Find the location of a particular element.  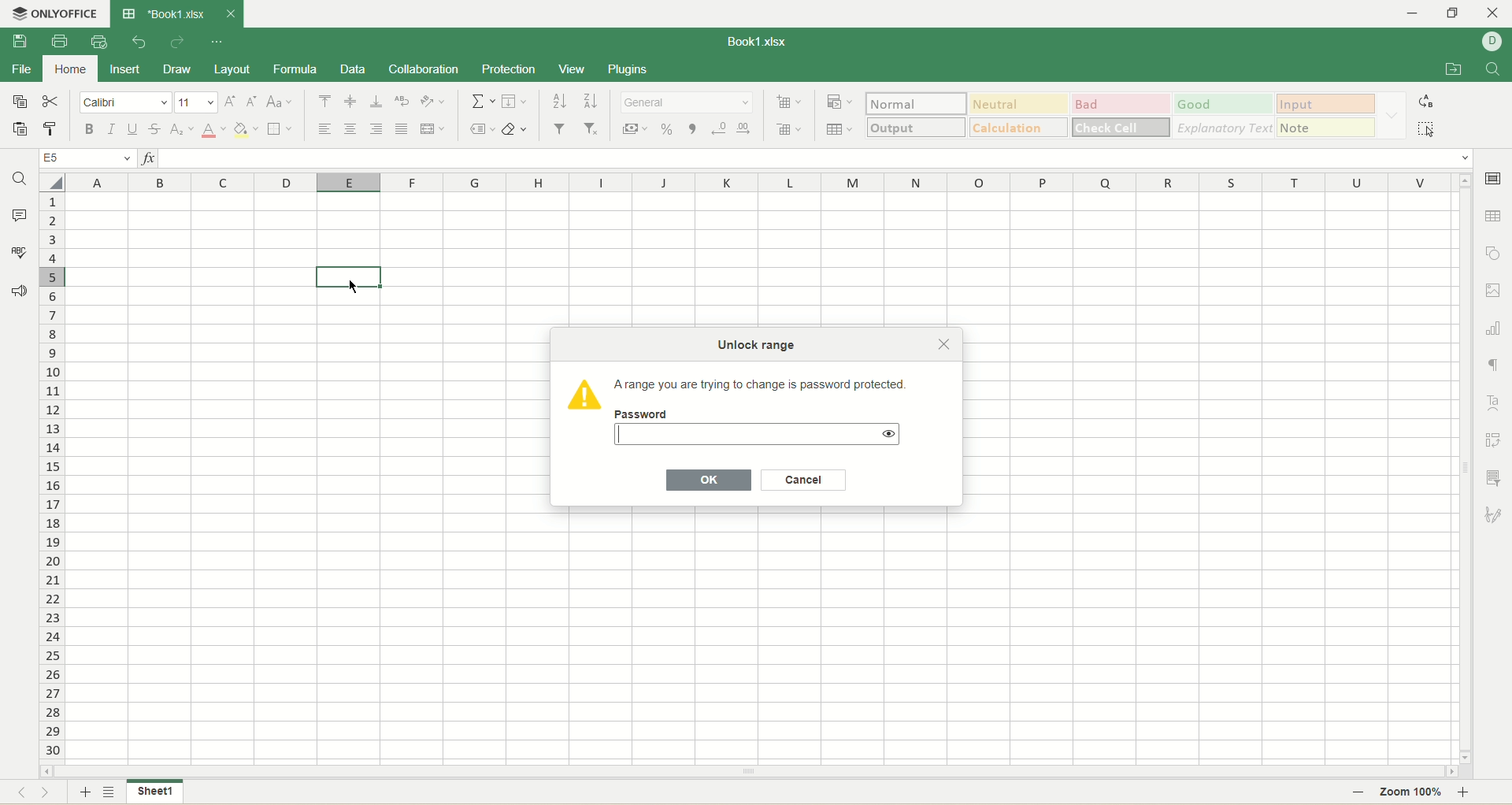

home is located at coordinates (68, 69).